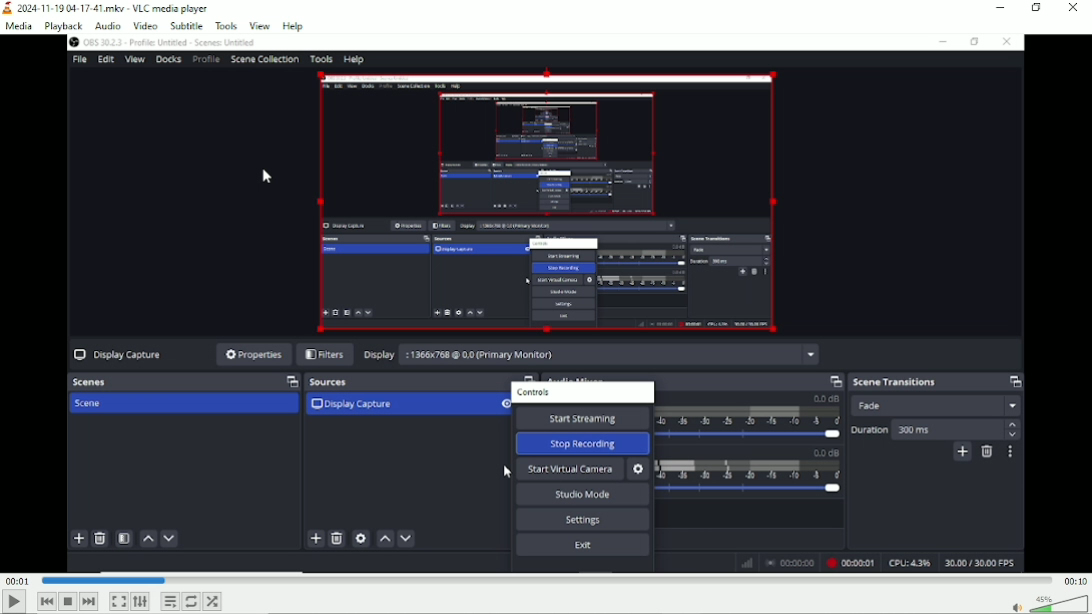 The width and height of the screenshot is (1092, 614). Describe the element at coordinates (292, 26) in the screenshot. I see `help` at that location.